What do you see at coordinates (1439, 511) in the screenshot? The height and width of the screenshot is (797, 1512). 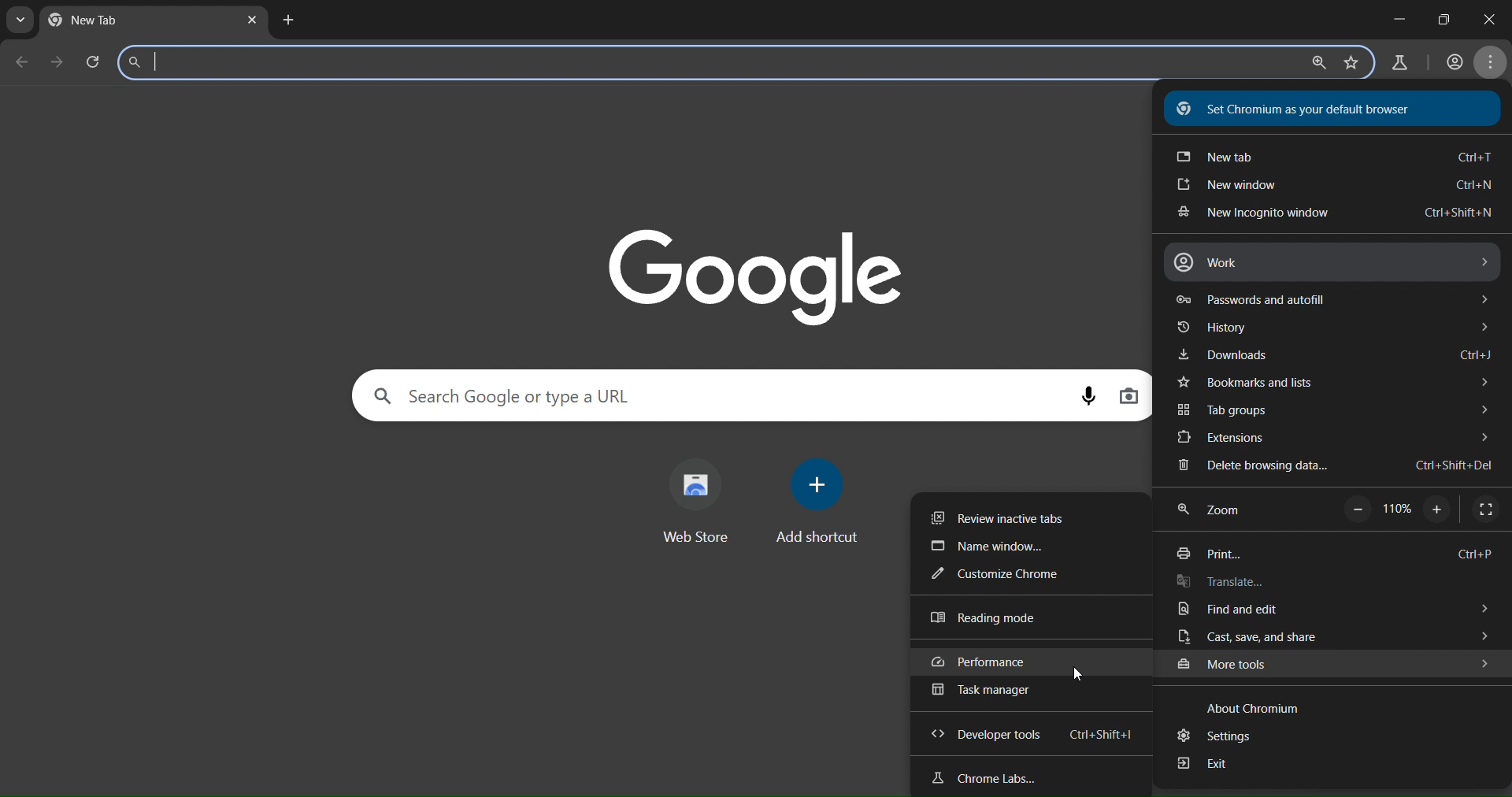 I see `zoom in` at bounding box center [1439, 511].